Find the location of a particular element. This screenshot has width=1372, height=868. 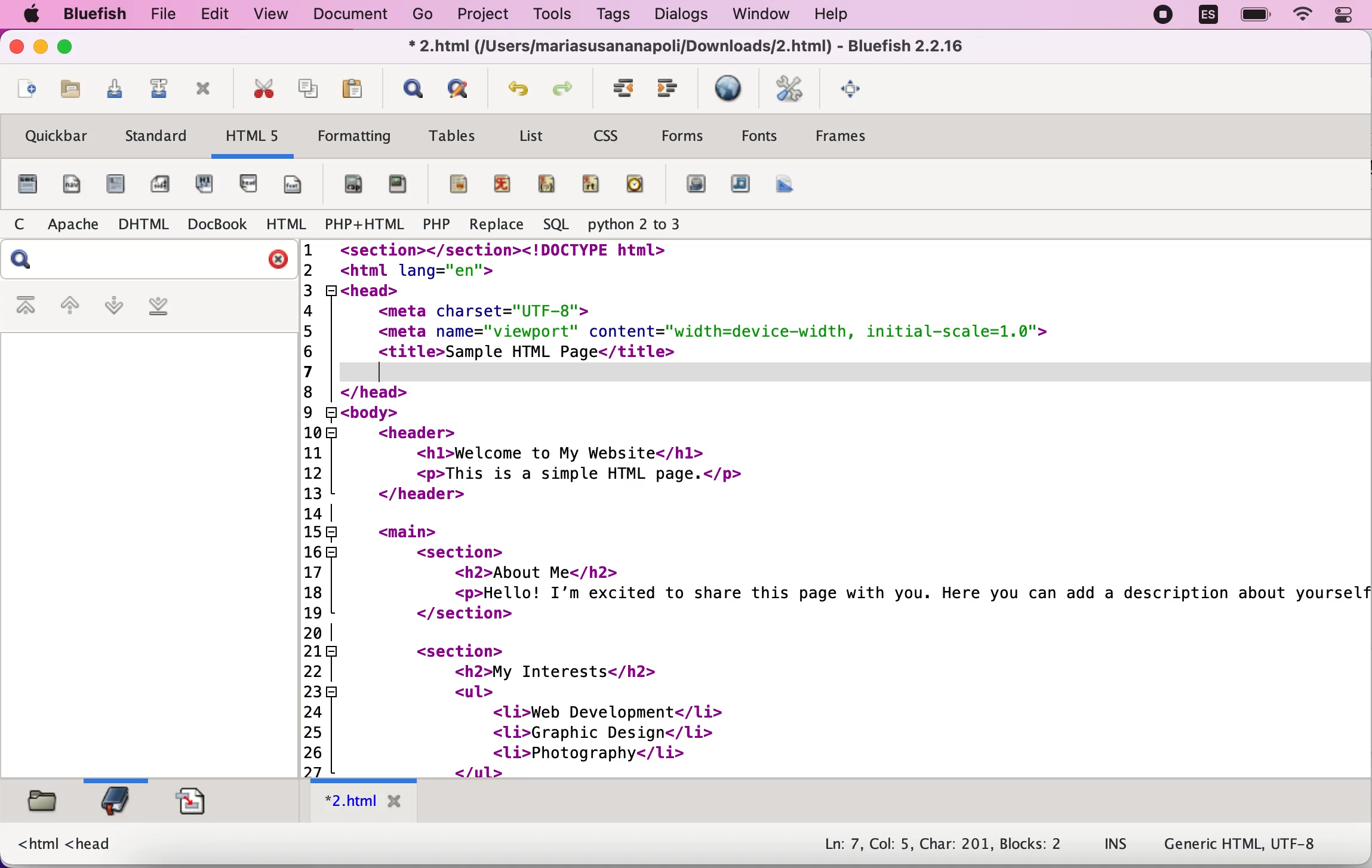

figurecaption is located at coordinates (353, 184).